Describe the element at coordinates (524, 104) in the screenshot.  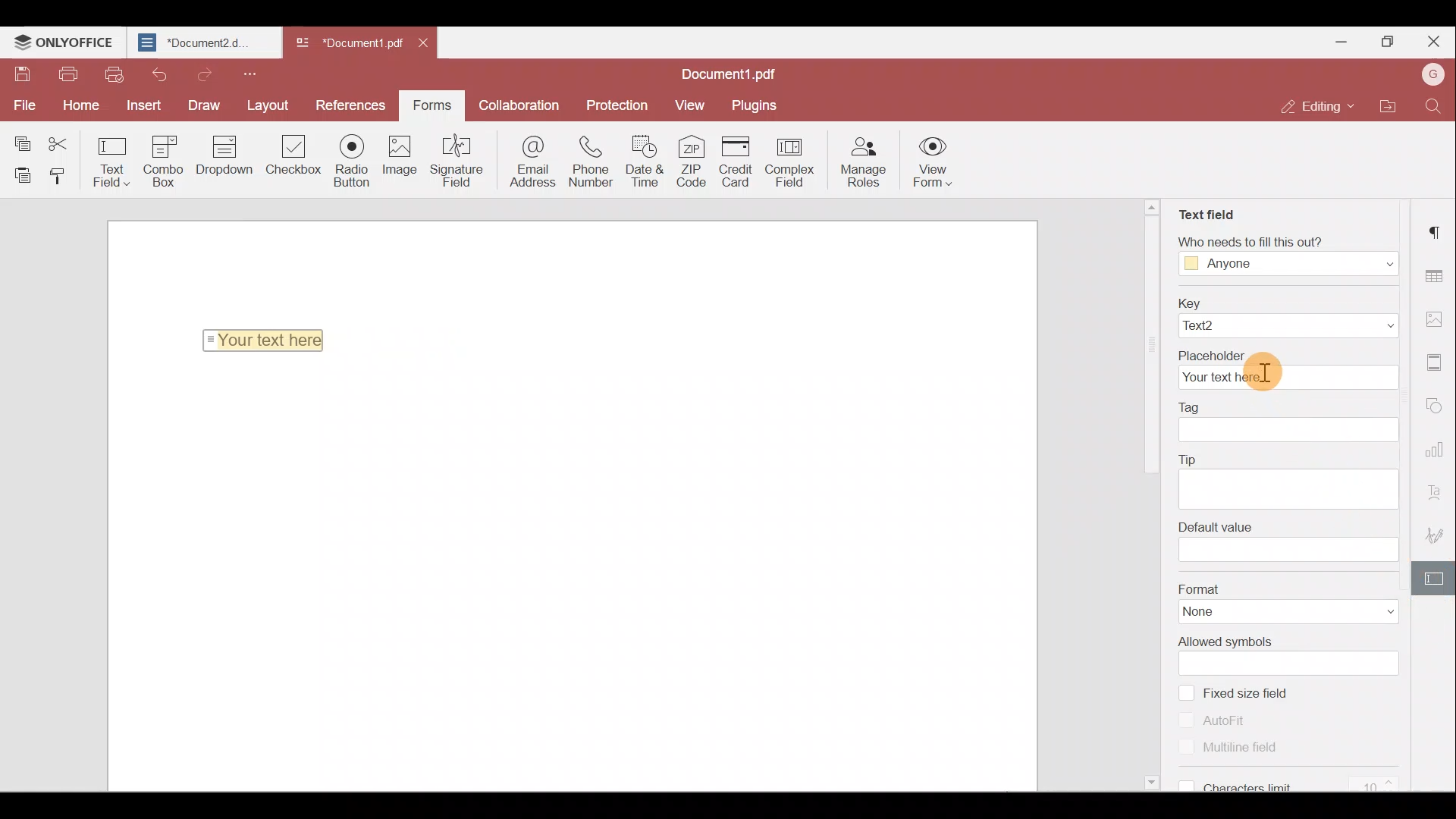
I see `Collaboration` at that location.